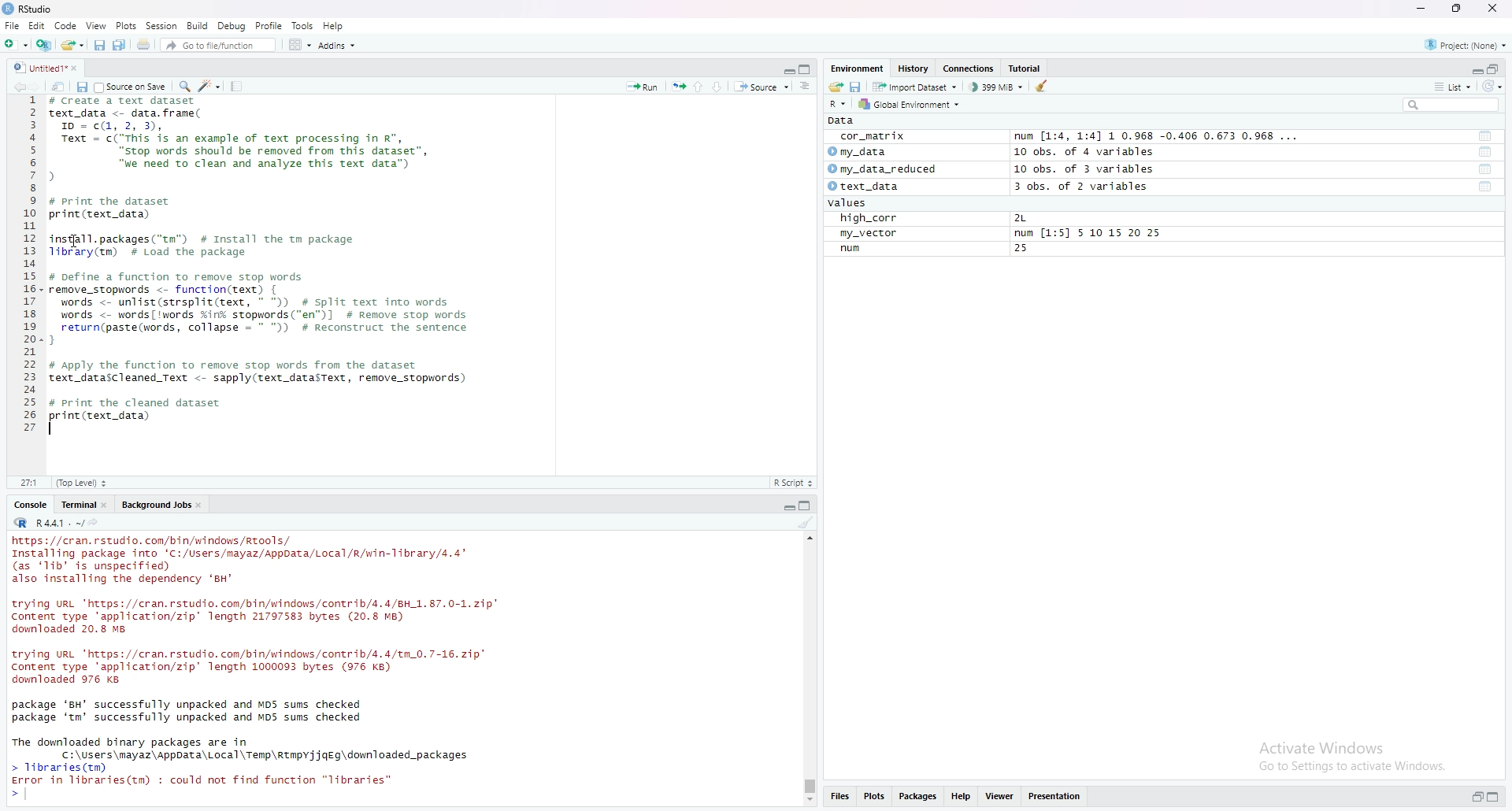 The width and height of the screenshot is (1512, 811). Describe the element at coordinates (807, 523) in the screenshot. I see `clear console` at that location.